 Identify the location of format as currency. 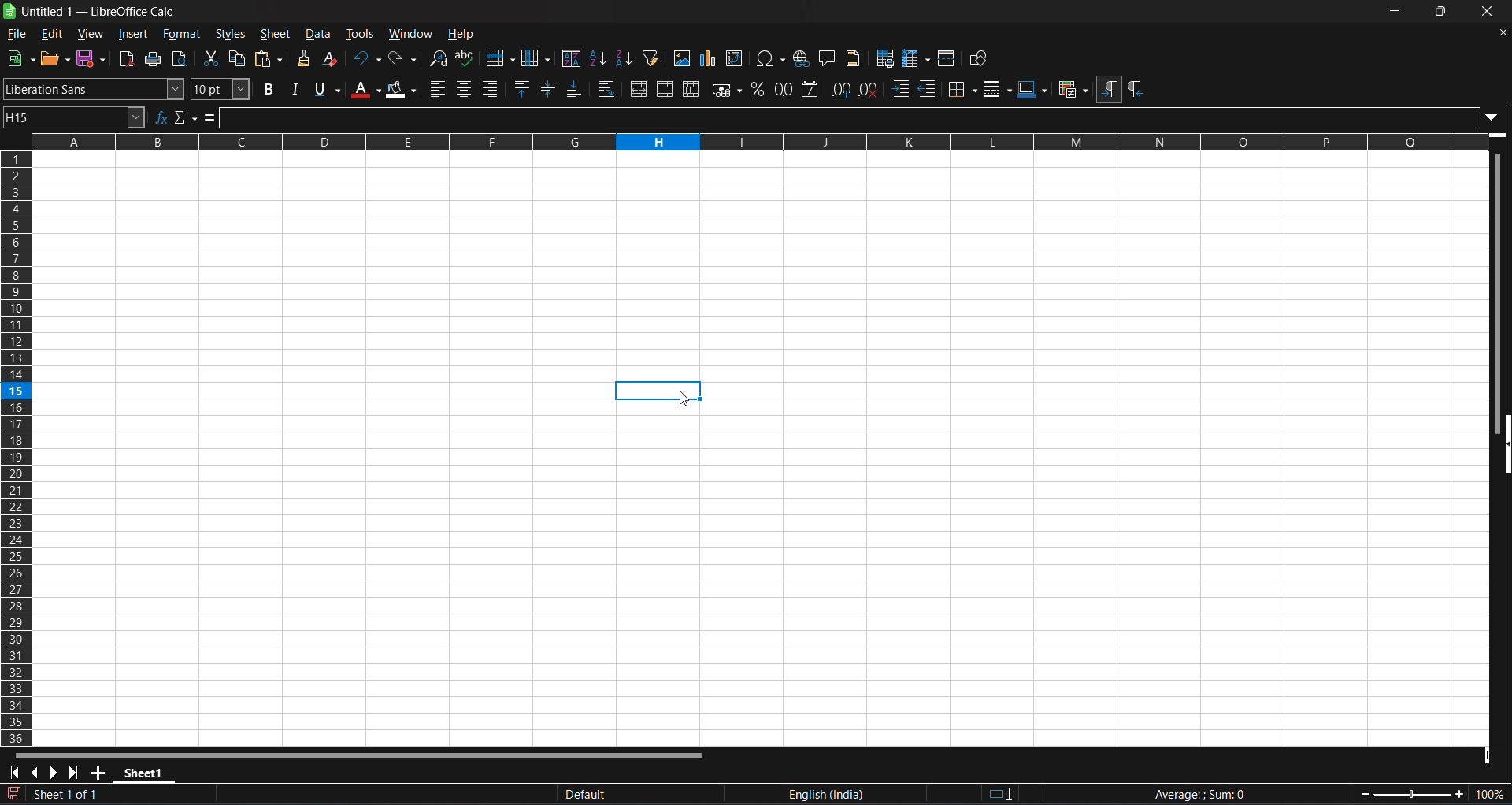
(726, 90).